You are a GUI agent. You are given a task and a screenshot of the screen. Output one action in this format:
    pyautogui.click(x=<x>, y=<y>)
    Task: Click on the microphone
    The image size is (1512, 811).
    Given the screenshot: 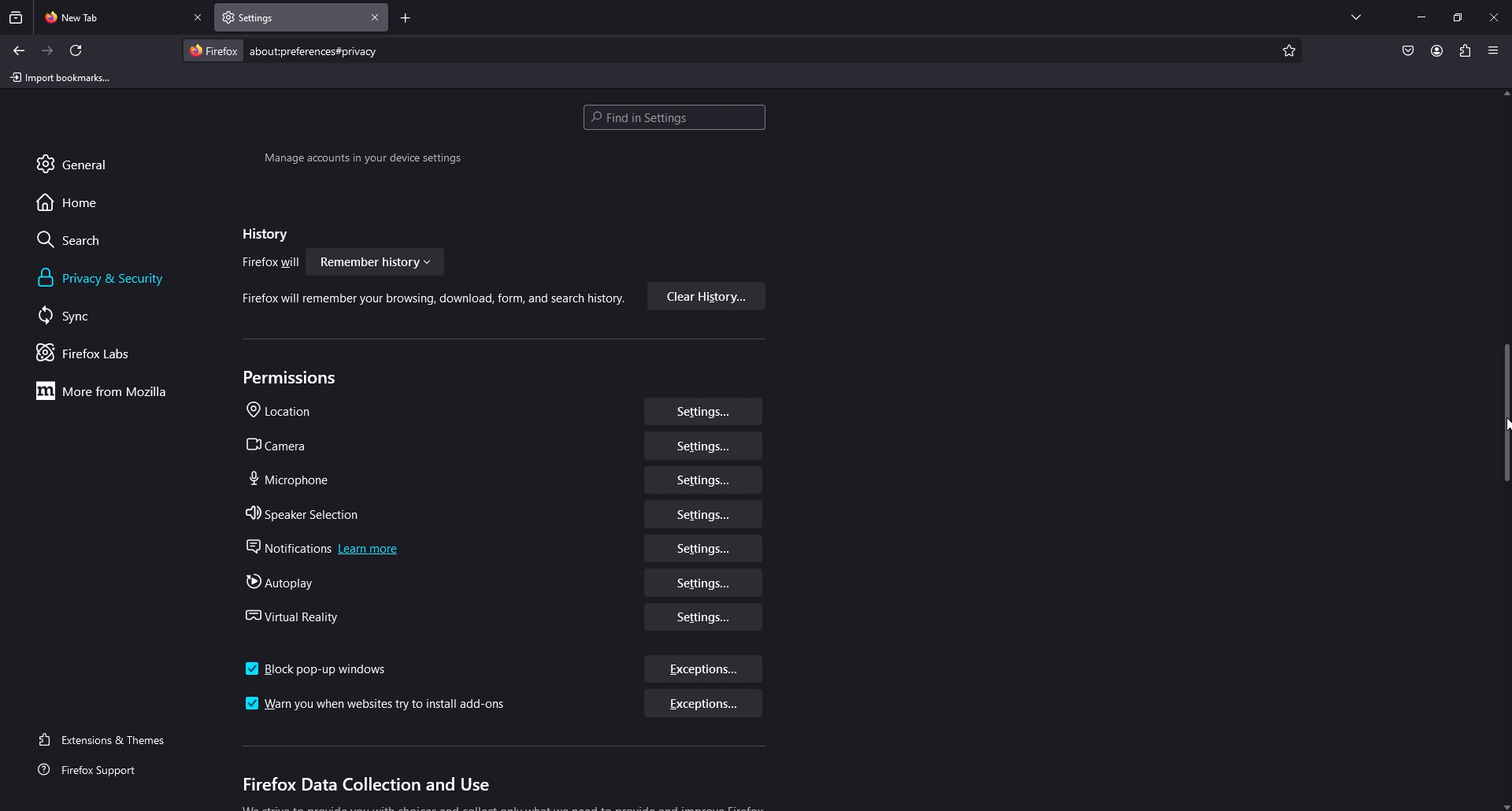 What is the action you would take?
    pyautogui.click(x=291, y=479)
    